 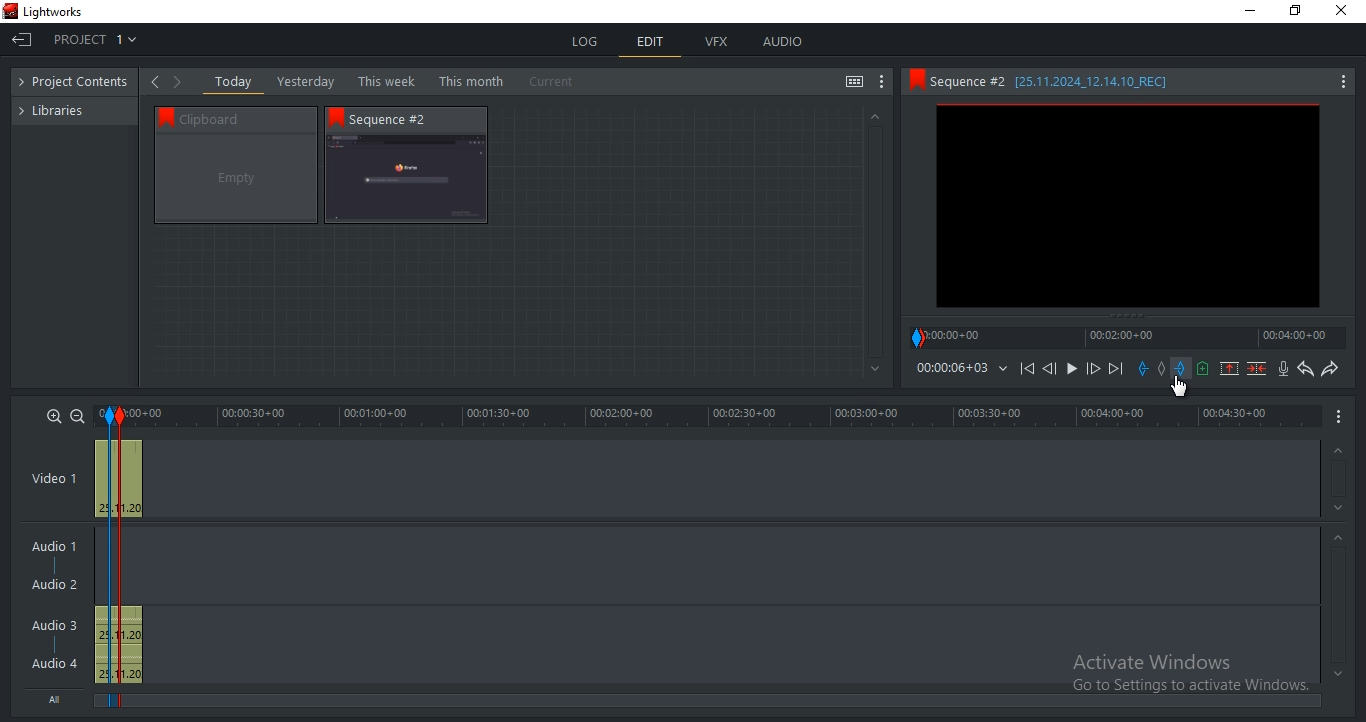 I want to click on Sequence #2, so click(x=399, y=119).